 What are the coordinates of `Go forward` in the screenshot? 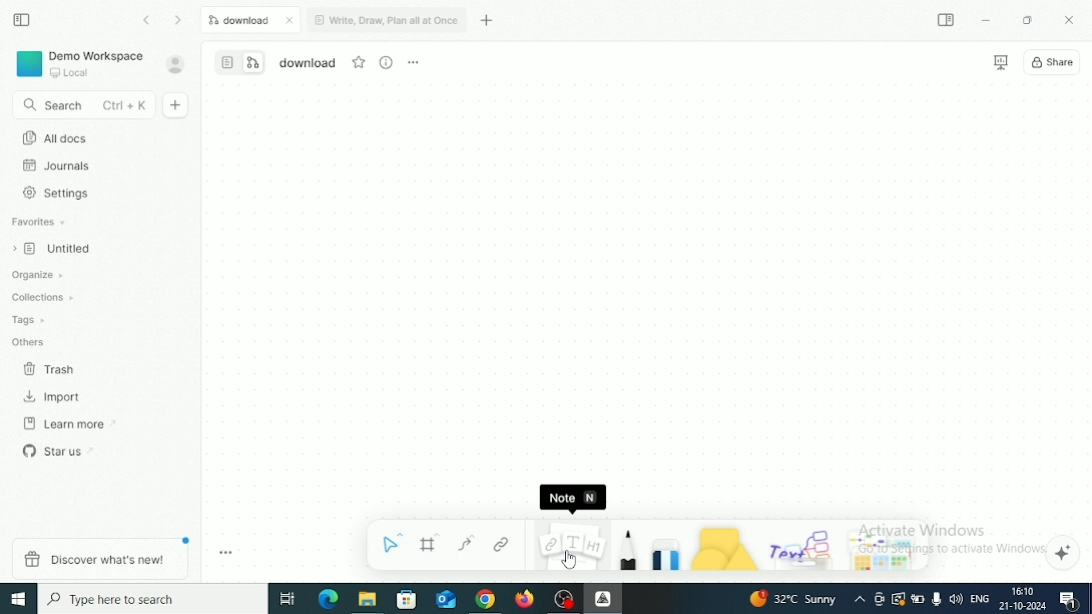 It's located at (179, 21).